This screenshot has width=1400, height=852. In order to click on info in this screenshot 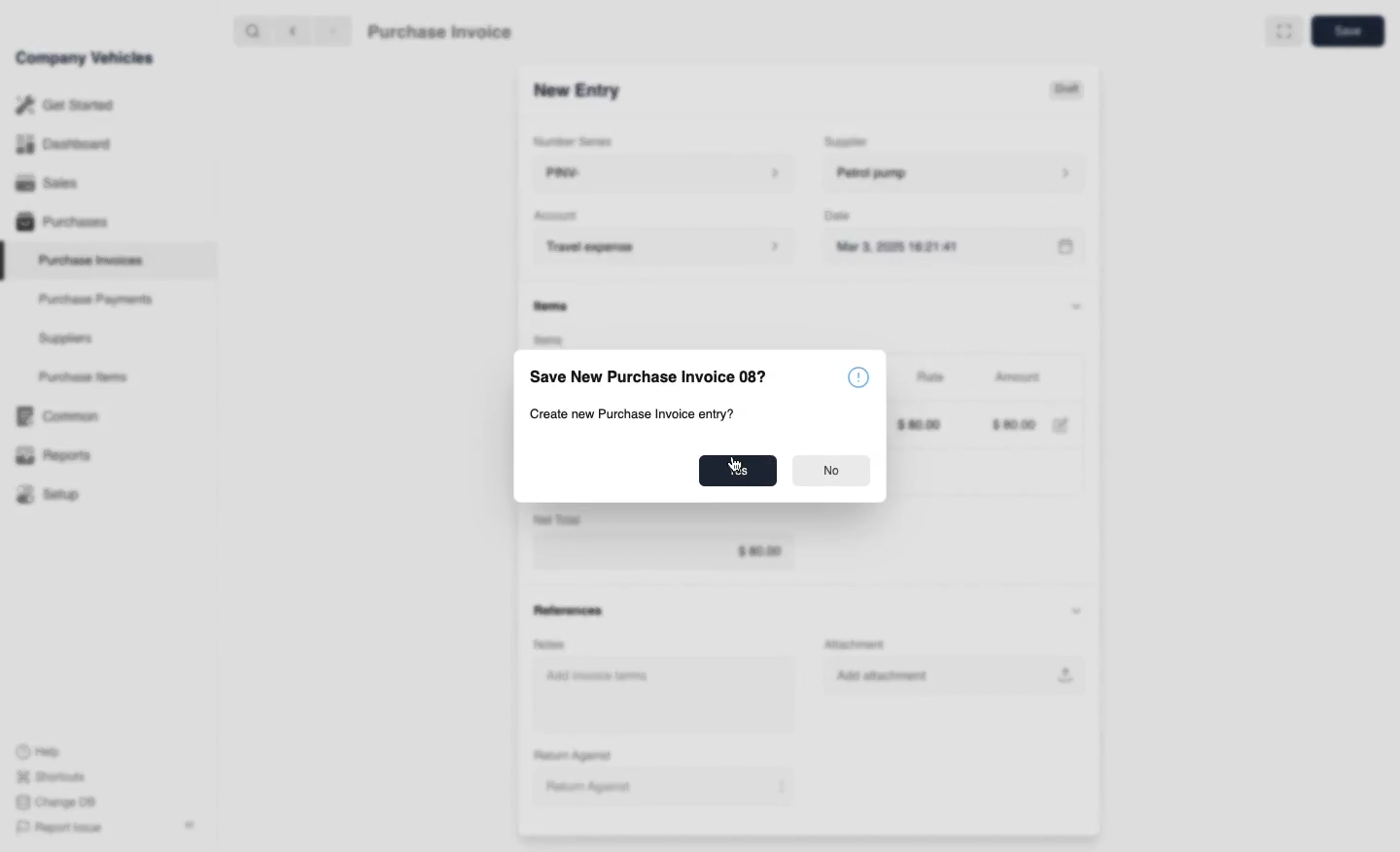, I will do `click(859, 378)`.